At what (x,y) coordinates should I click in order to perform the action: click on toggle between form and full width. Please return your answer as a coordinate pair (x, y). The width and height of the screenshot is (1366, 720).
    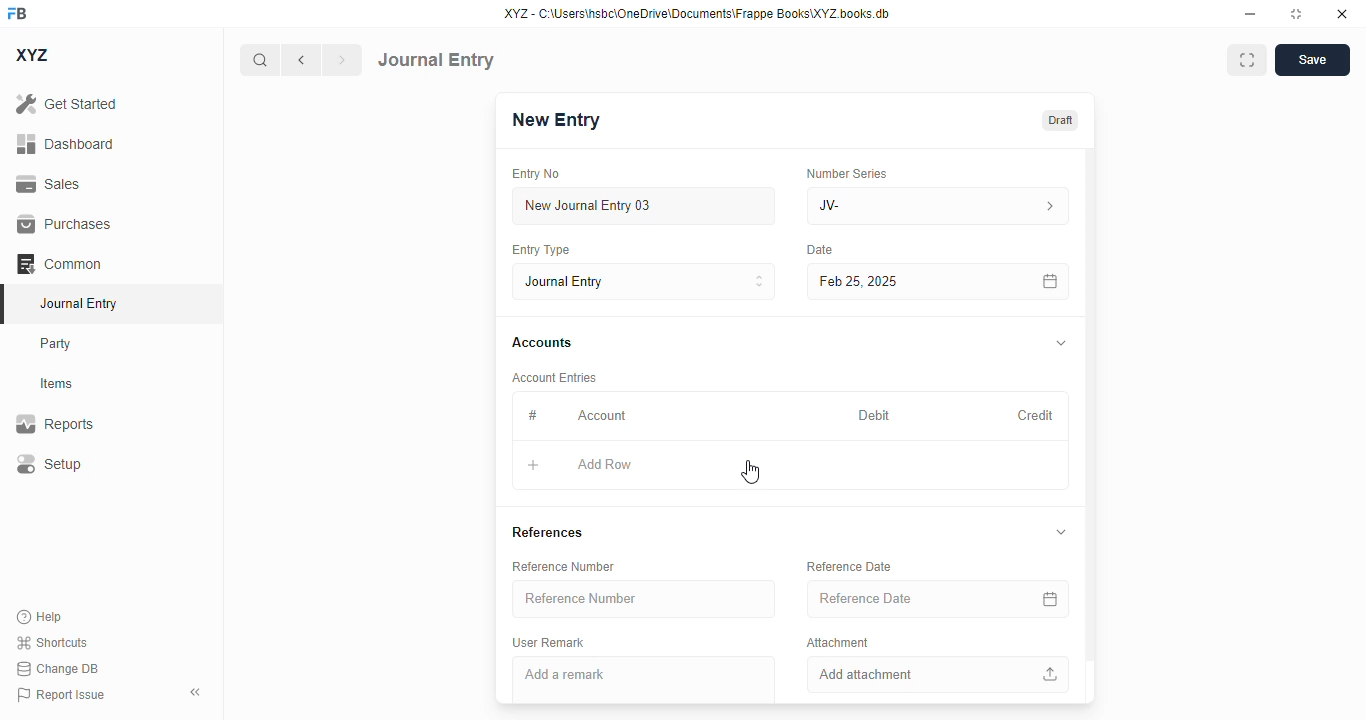
    Looking at the image, I should click on (1248, 60).